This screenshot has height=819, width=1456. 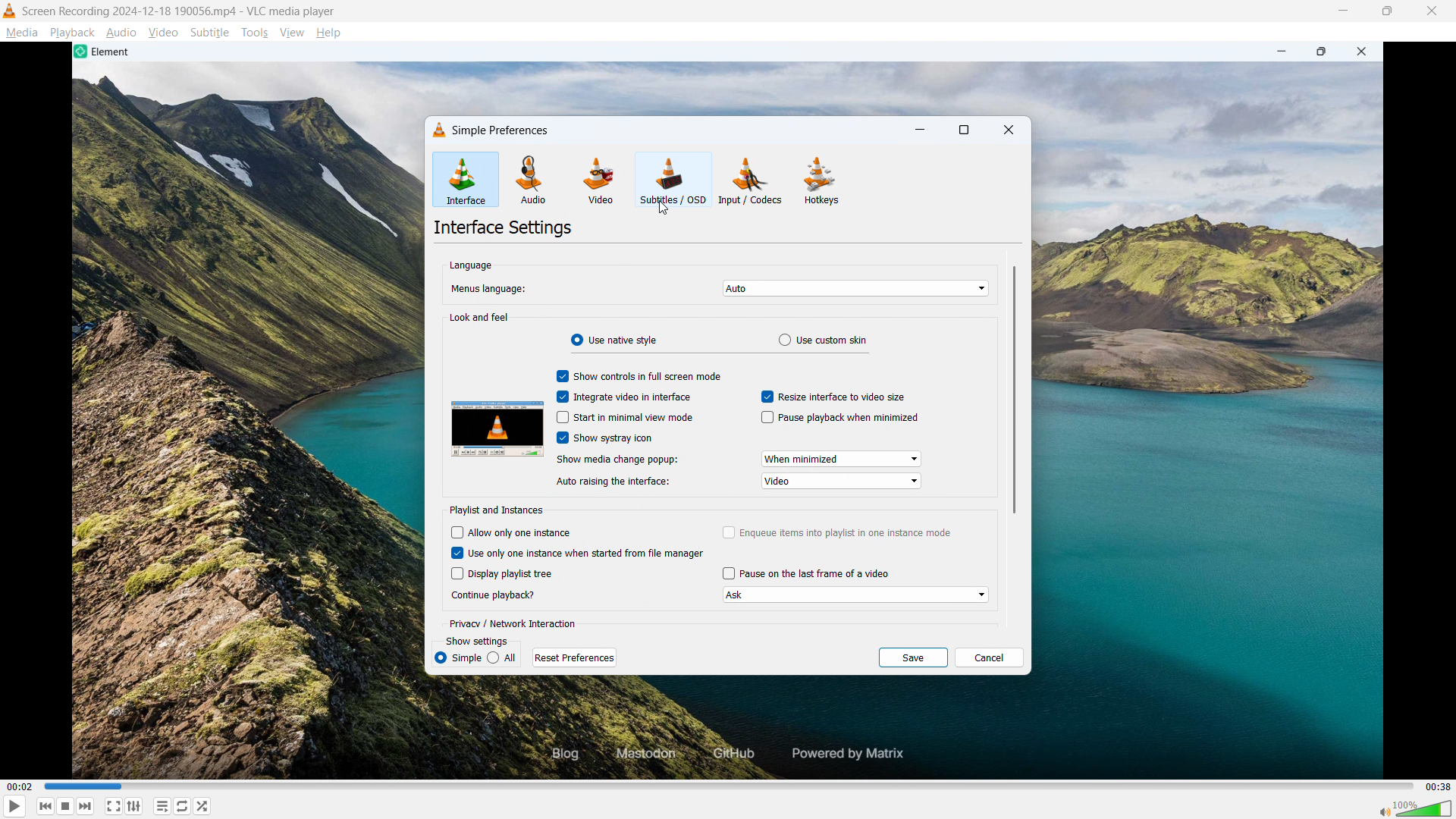 What do you see at coordinates (46, 806) in the screenshot?
I see `Backward or previous media ` at bounding box center [46, 806].